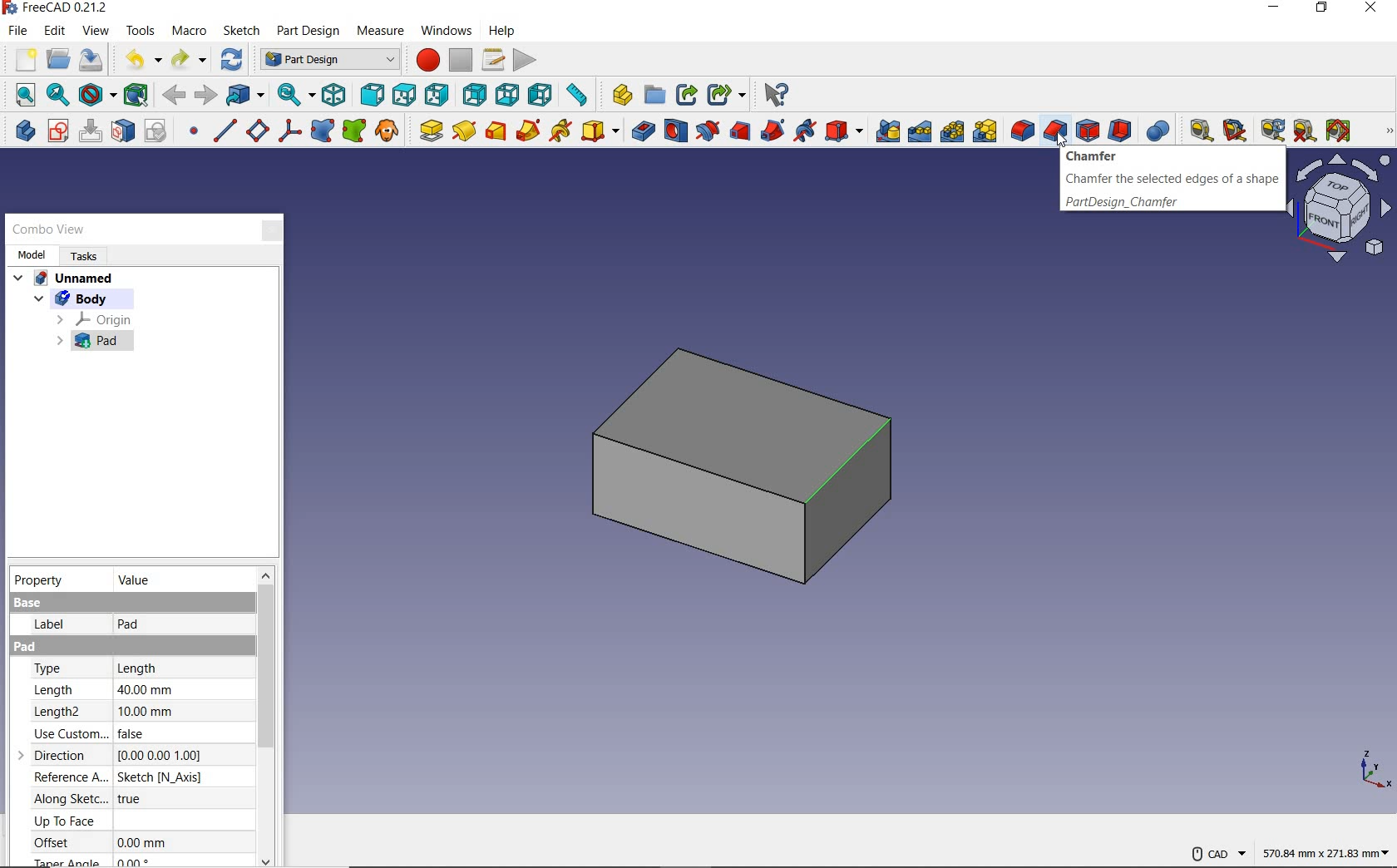  What do you see at coordinates (56, 688) in the screenshot?
I see `Length` at bounding box center [56, 688].